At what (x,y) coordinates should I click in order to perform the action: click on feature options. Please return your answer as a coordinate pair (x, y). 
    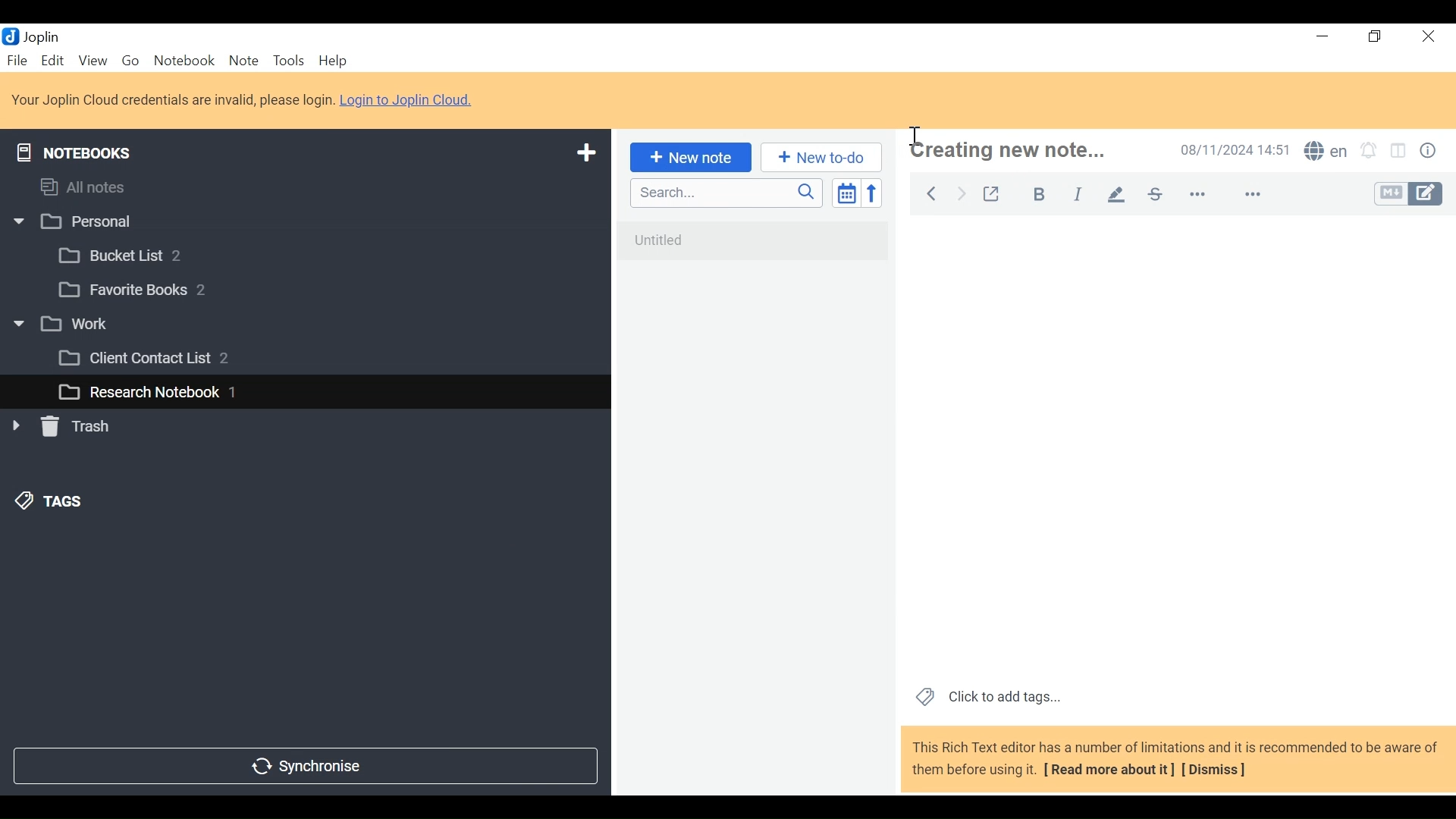
    Looking at the image, I should click on (1260, 196).